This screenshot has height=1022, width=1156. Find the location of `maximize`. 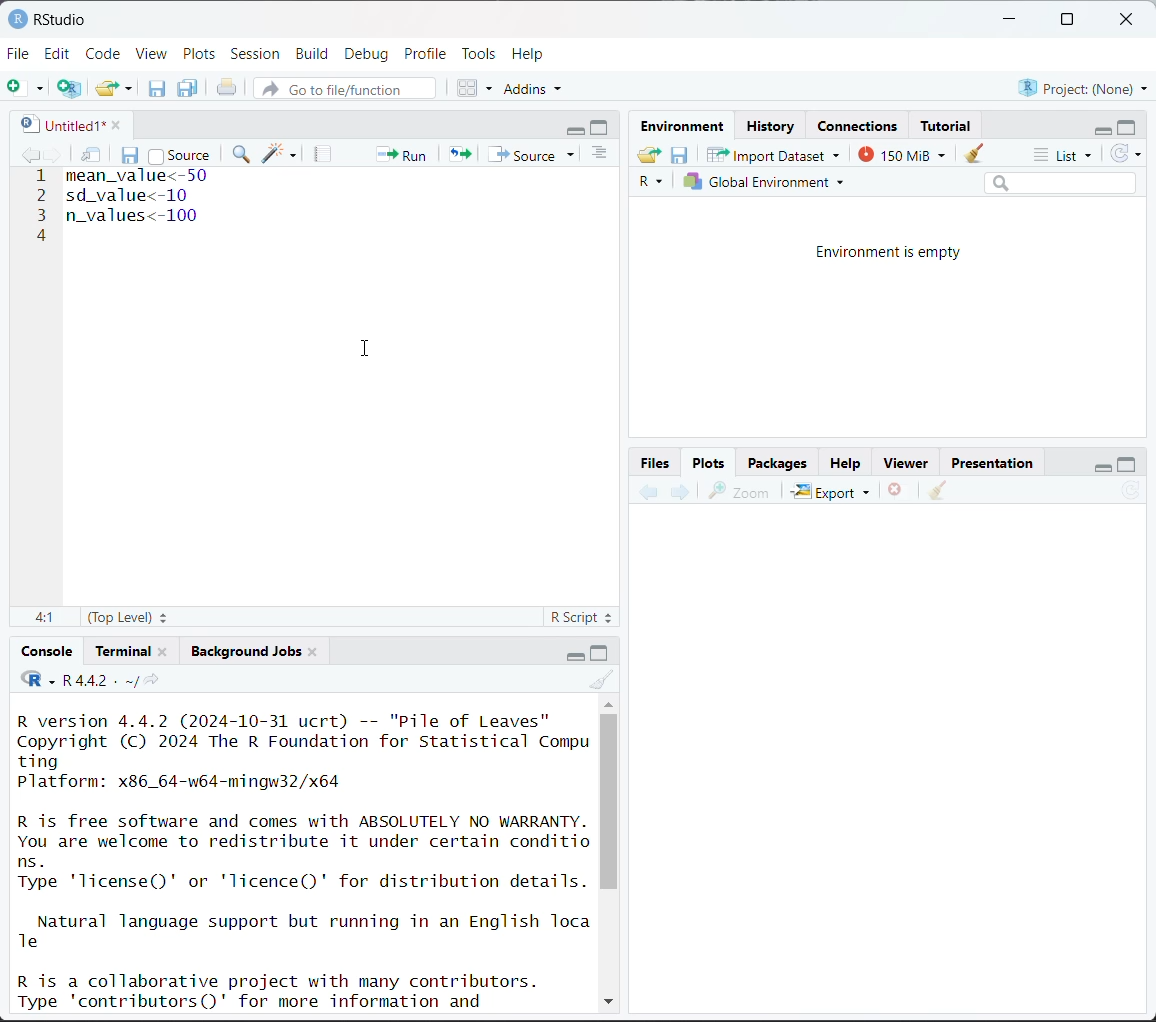

maximize is located at coordinates (601, 652).